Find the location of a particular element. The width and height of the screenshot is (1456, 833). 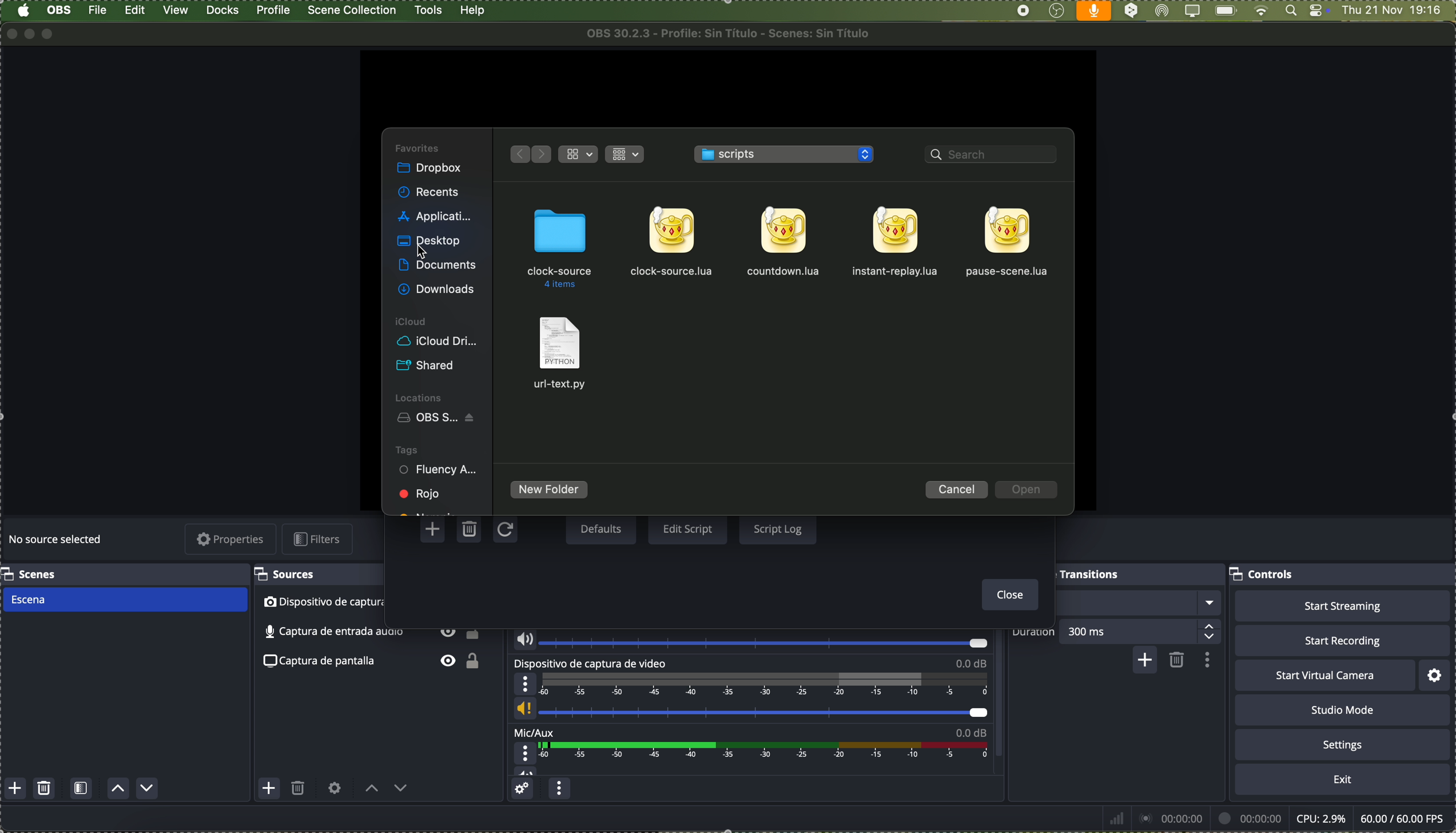

AirDrop is located at coordinates (1163, 11).